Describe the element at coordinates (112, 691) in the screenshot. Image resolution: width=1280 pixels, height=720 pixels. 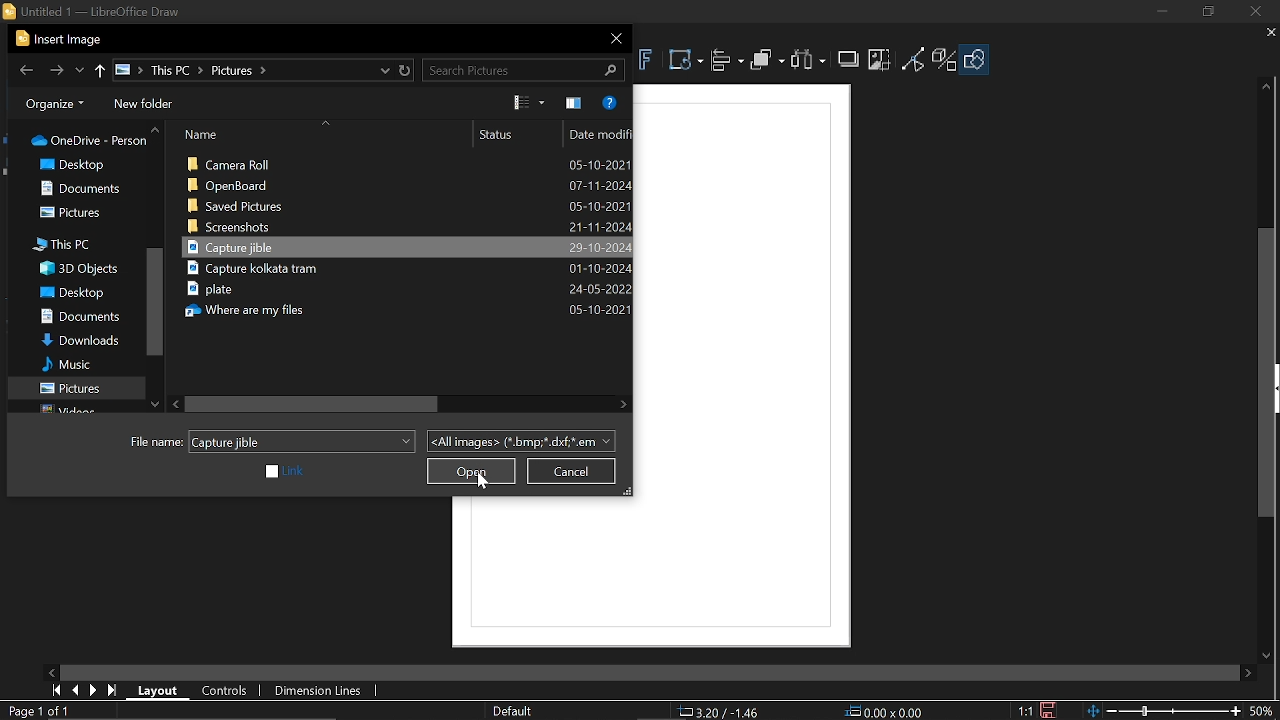
I see `Last page` at that location.